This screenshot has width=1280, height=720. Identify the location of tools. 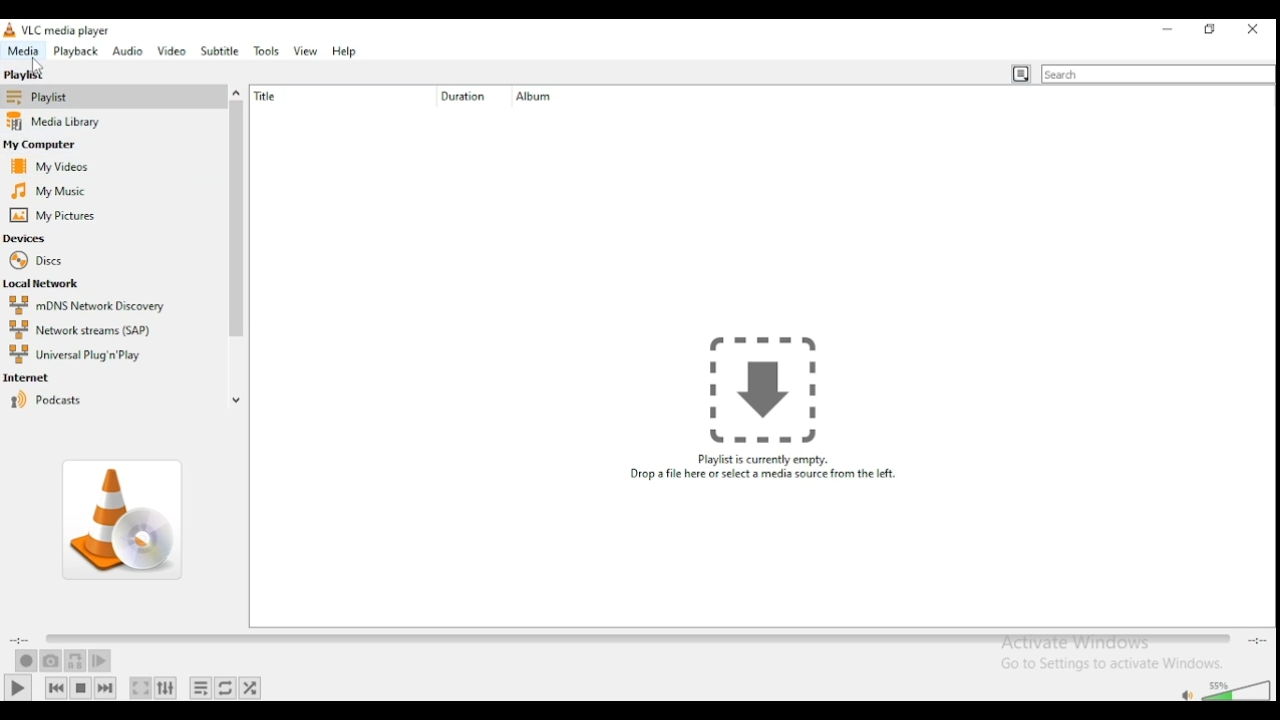
(266, 51).